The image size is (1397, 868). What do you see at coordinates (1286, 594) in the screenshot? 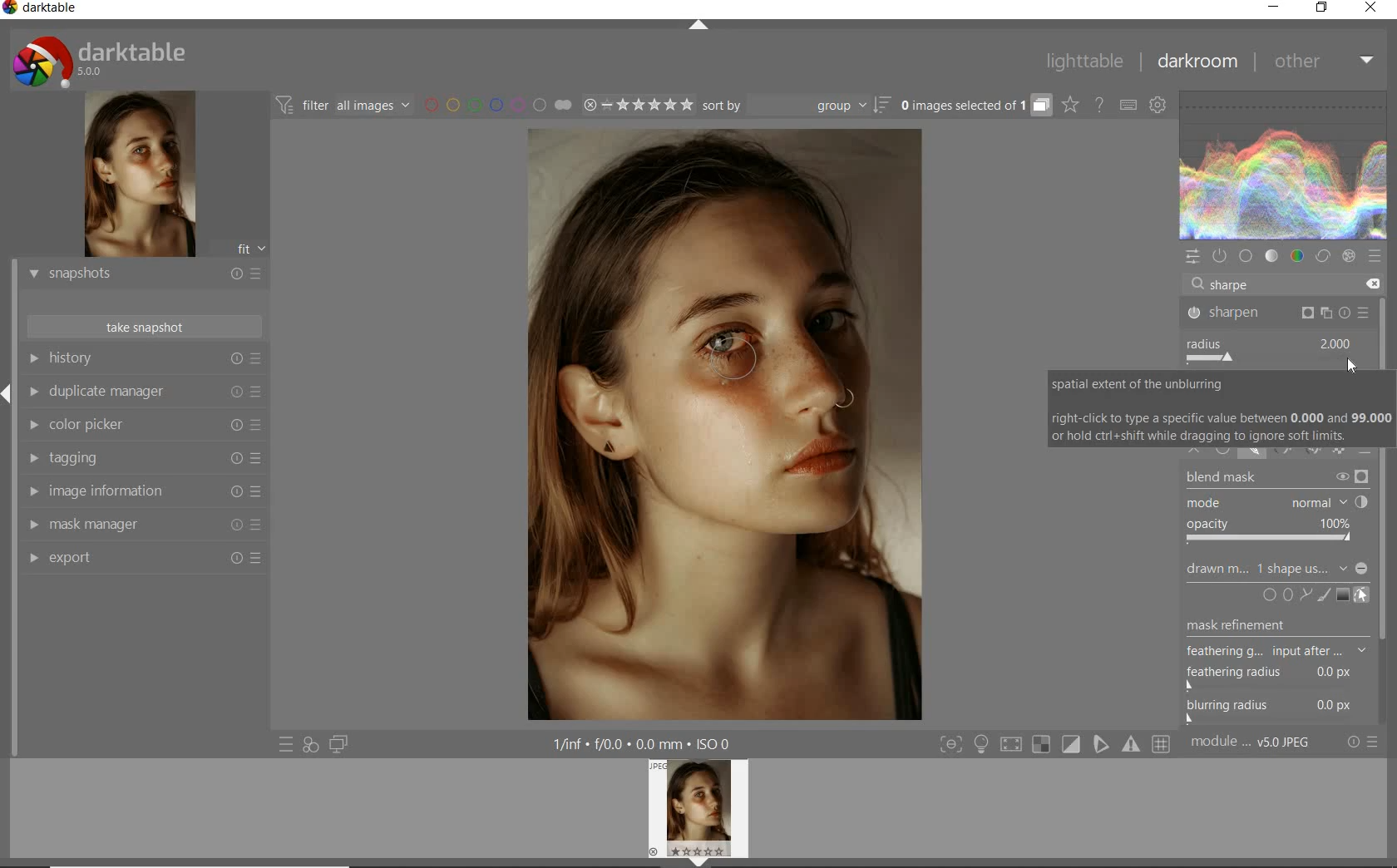
I see `ADD CIRCLE, ELLIPSE, OR ADD PATH` at bounding box center [1286, 594].